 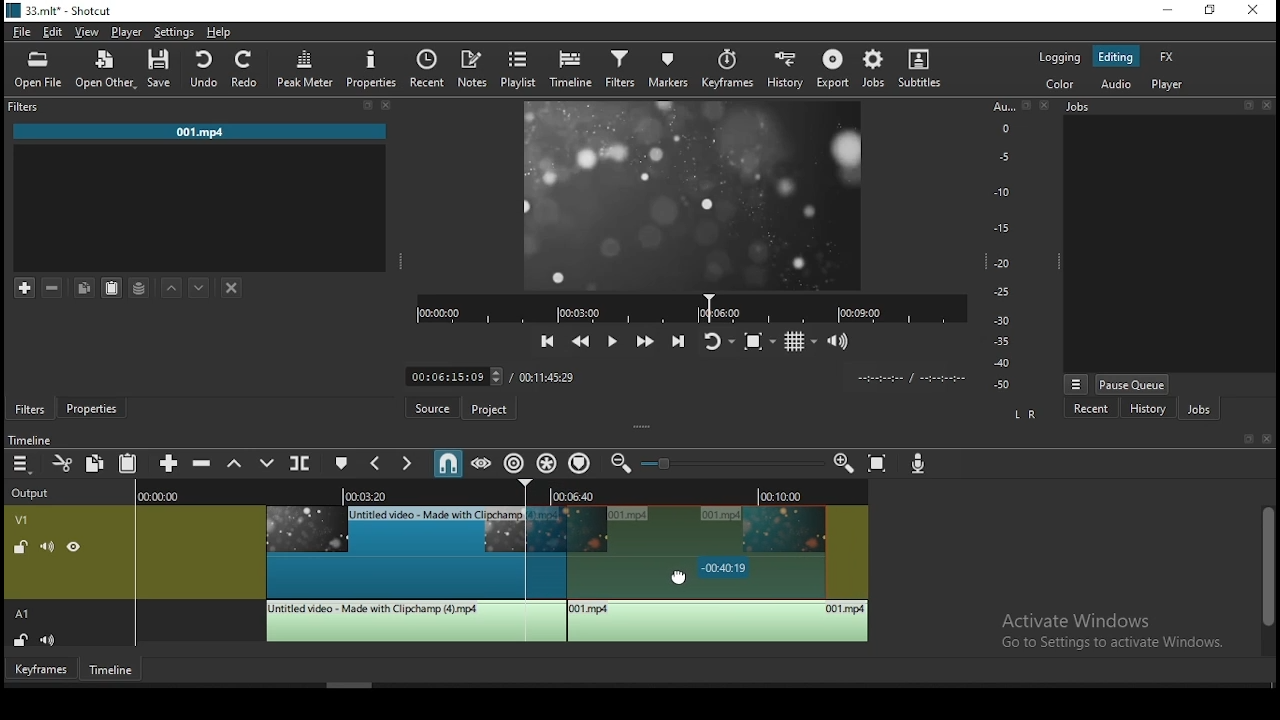 What do you see at coordinates (1115, 86) in the screenshot?
I see `audio` at bounding box center [1115, 86].